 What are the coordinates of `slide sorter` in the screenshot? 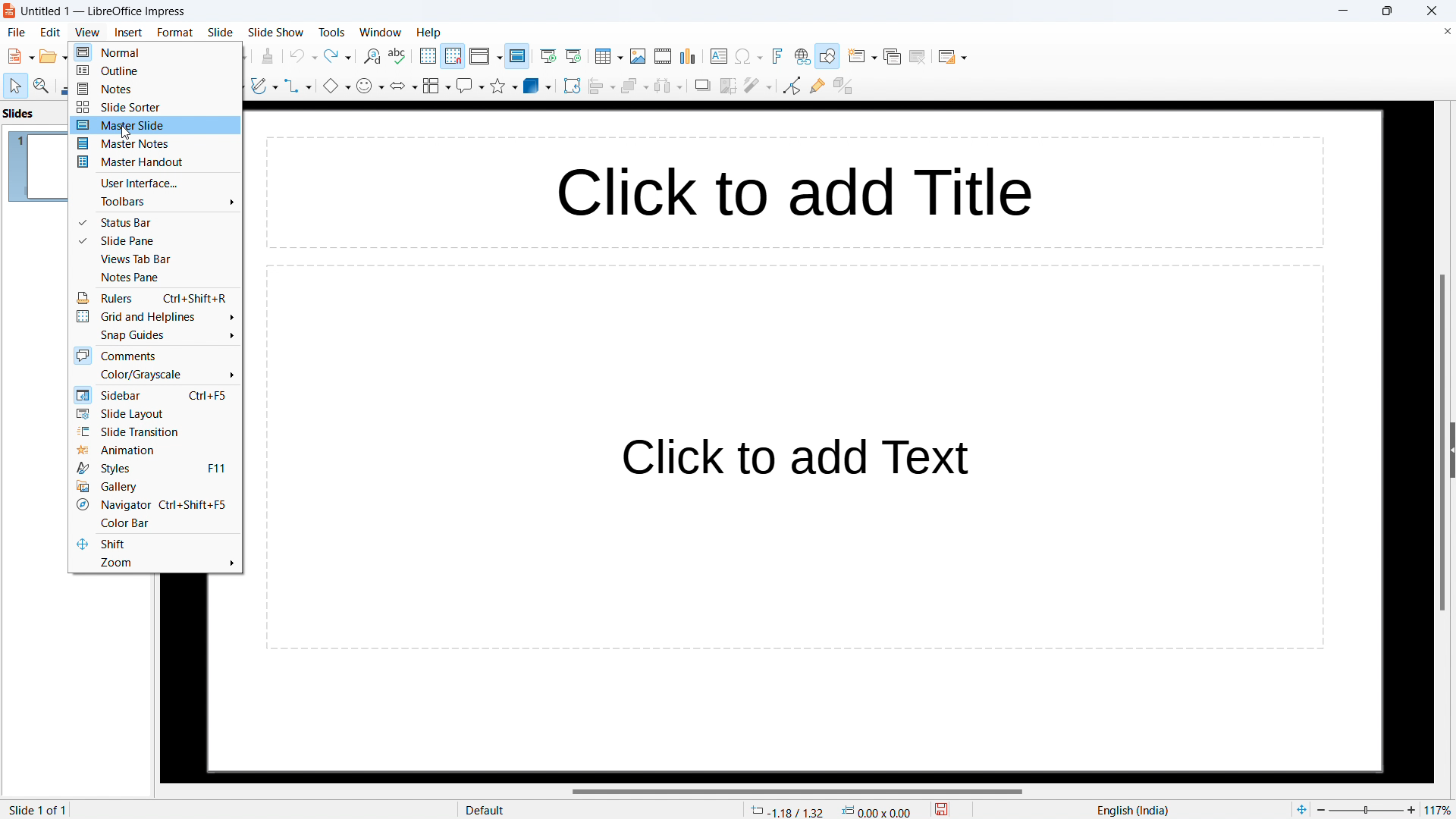 It's located at (156, 107).